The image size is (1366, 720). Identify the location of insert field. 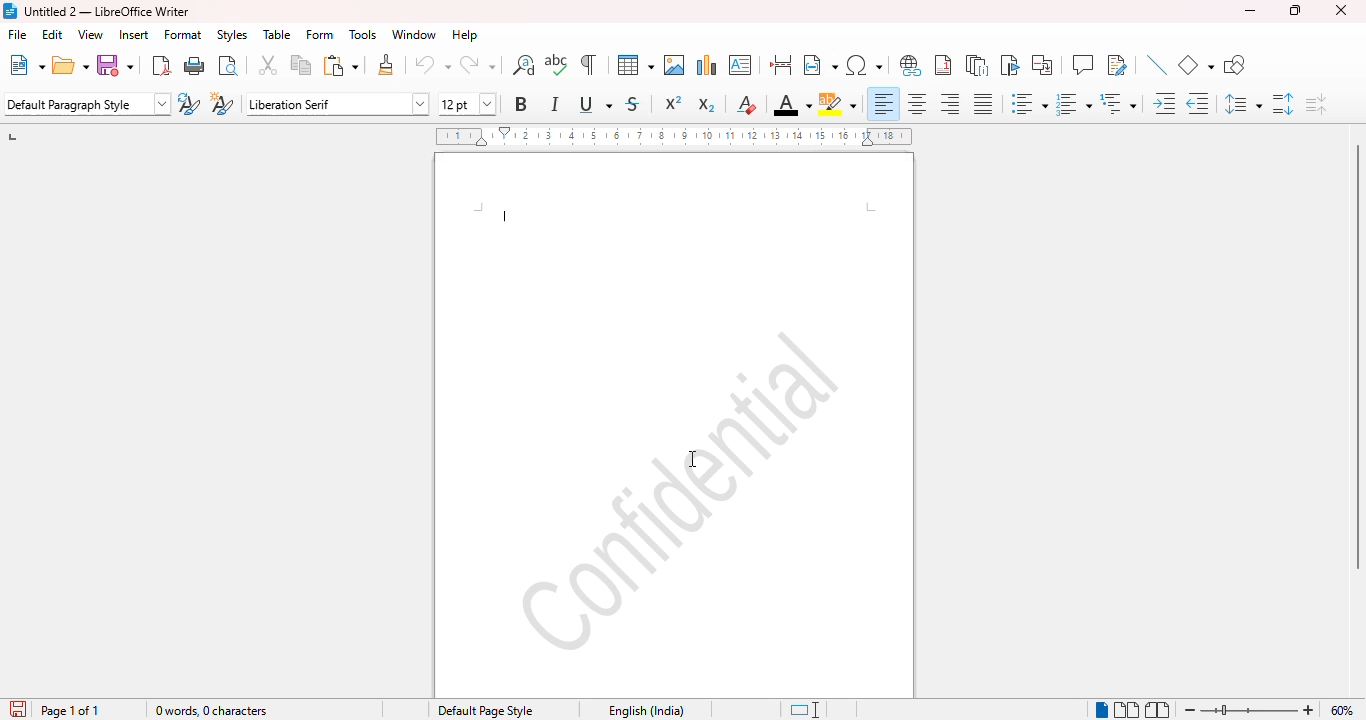
(820, 65).